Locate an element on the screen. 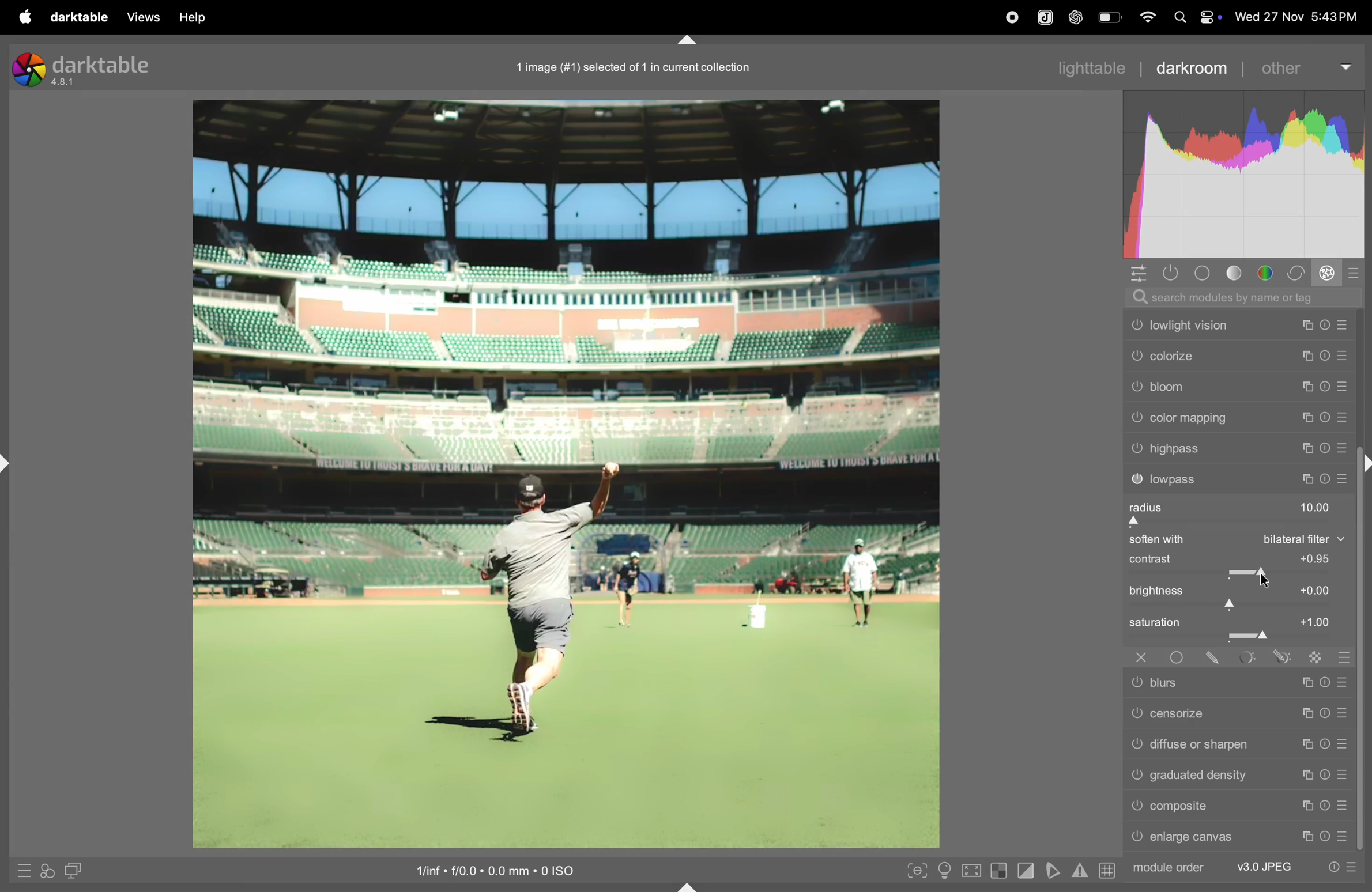 The width and height of the screenshot is (1372, 892). grid is located at coordinates (1106, 871).